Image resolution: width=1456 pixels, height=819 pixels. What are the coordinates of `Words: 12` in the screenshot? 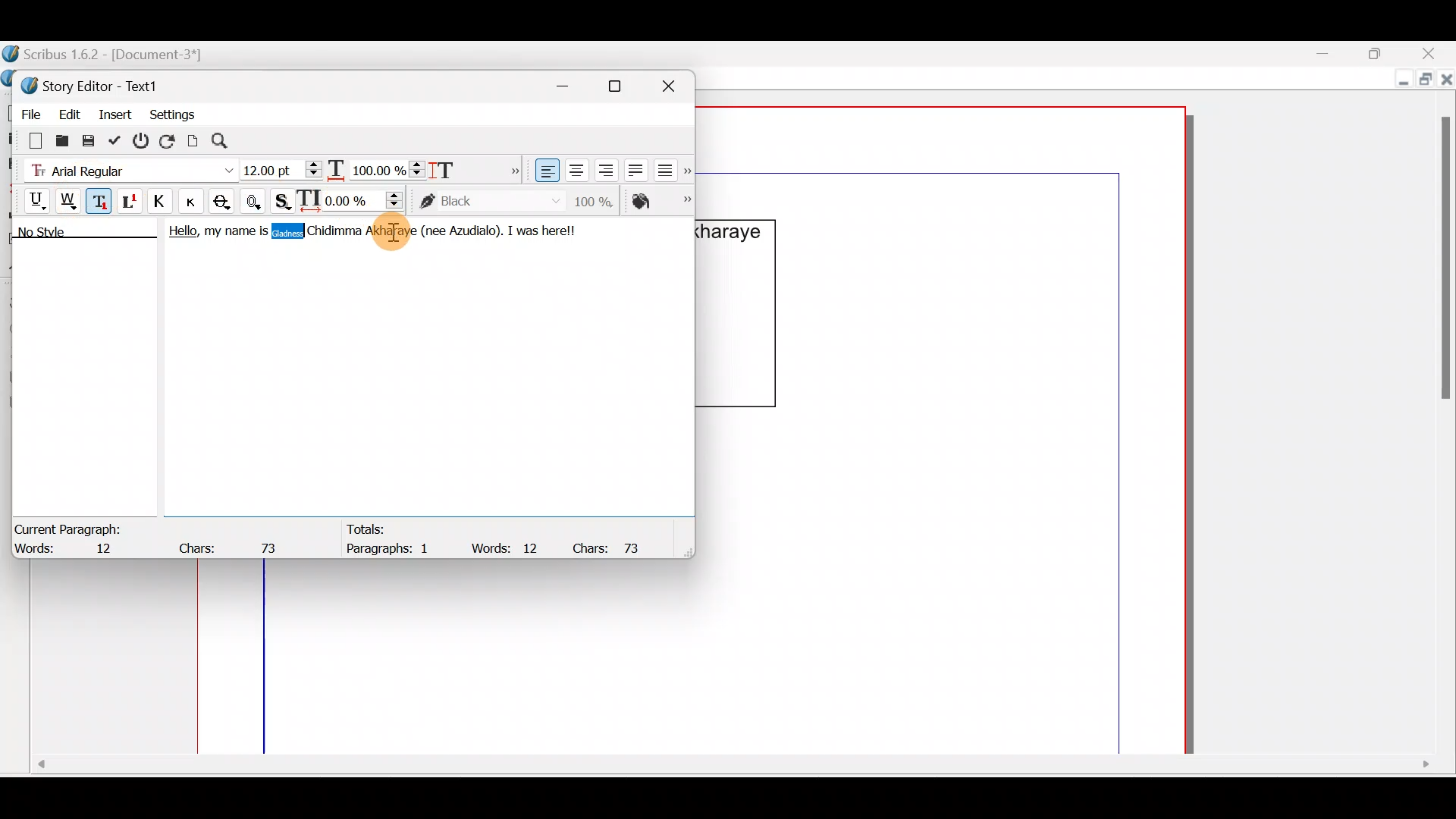 It's located at (72, 550).